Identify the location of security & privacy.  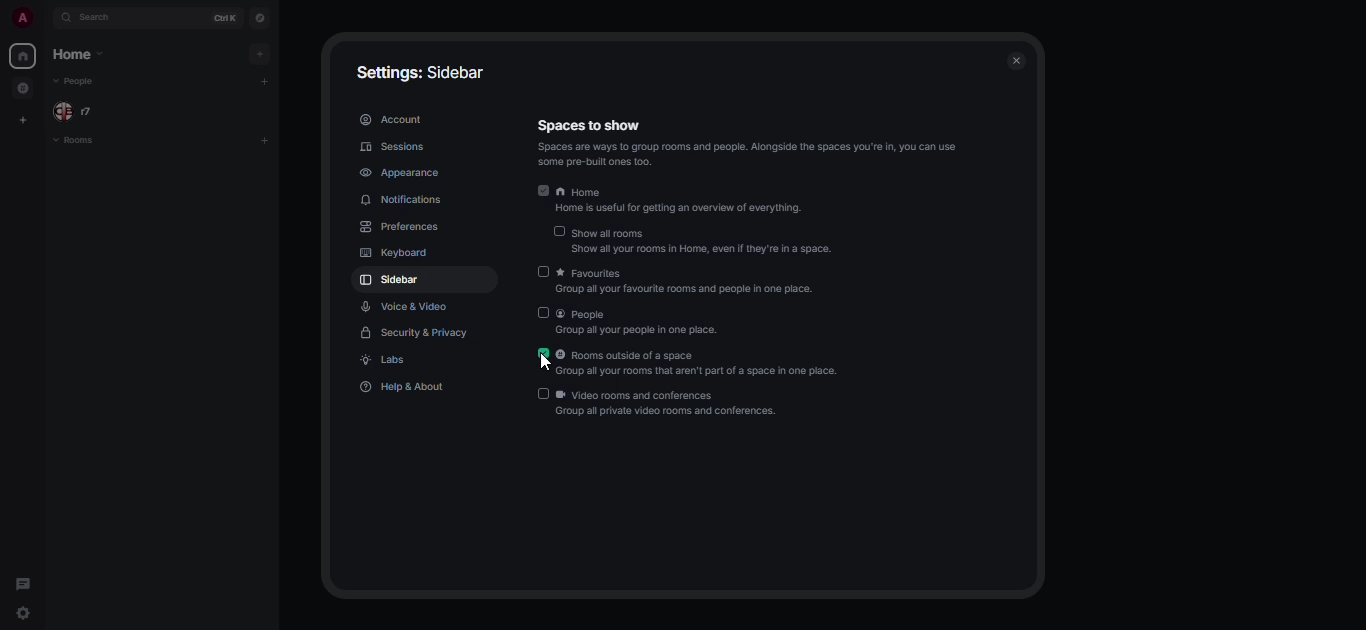
(417, 333).